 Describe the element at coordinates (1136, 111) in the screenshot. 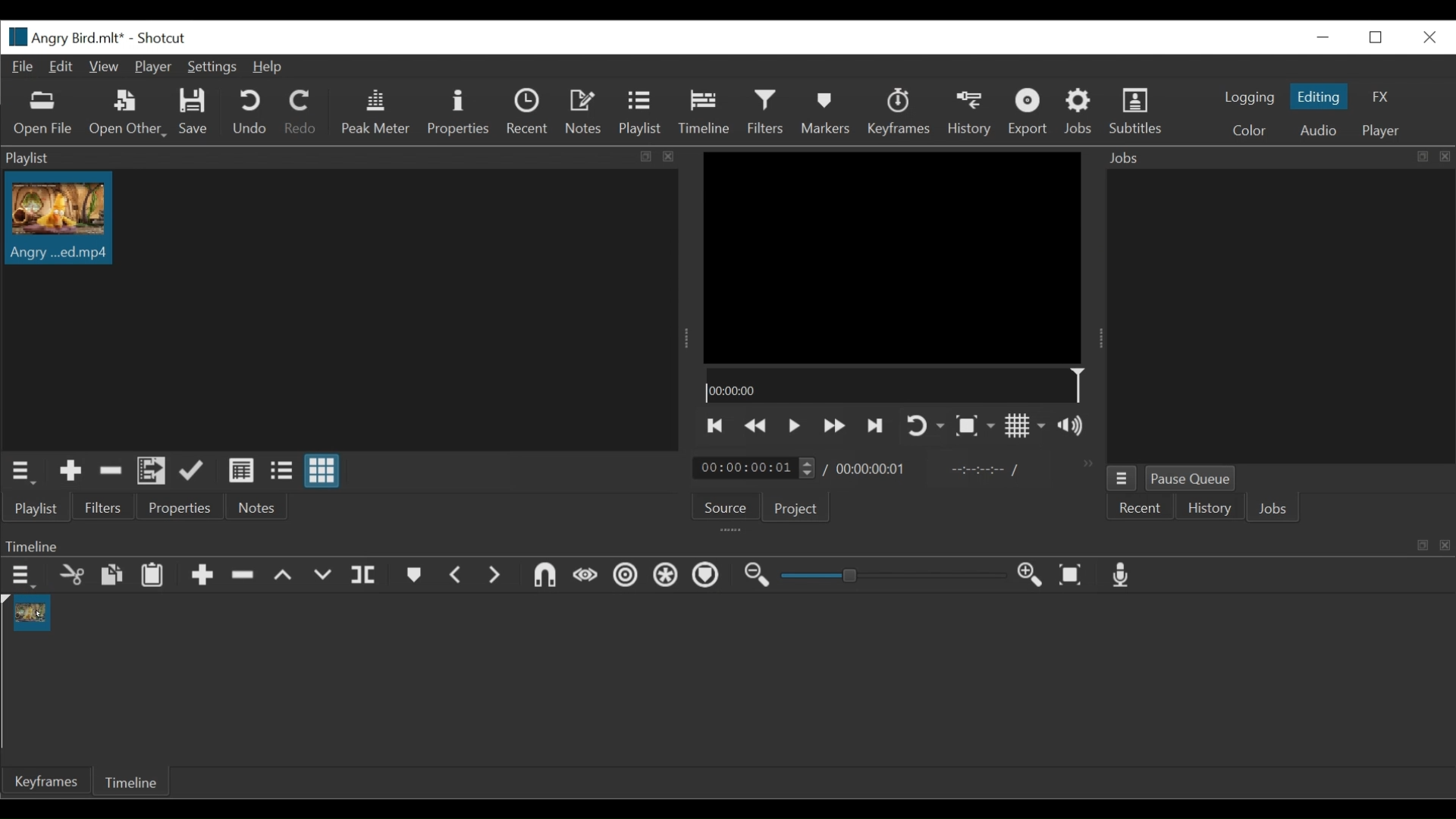

I see `Subtitles` at that location.